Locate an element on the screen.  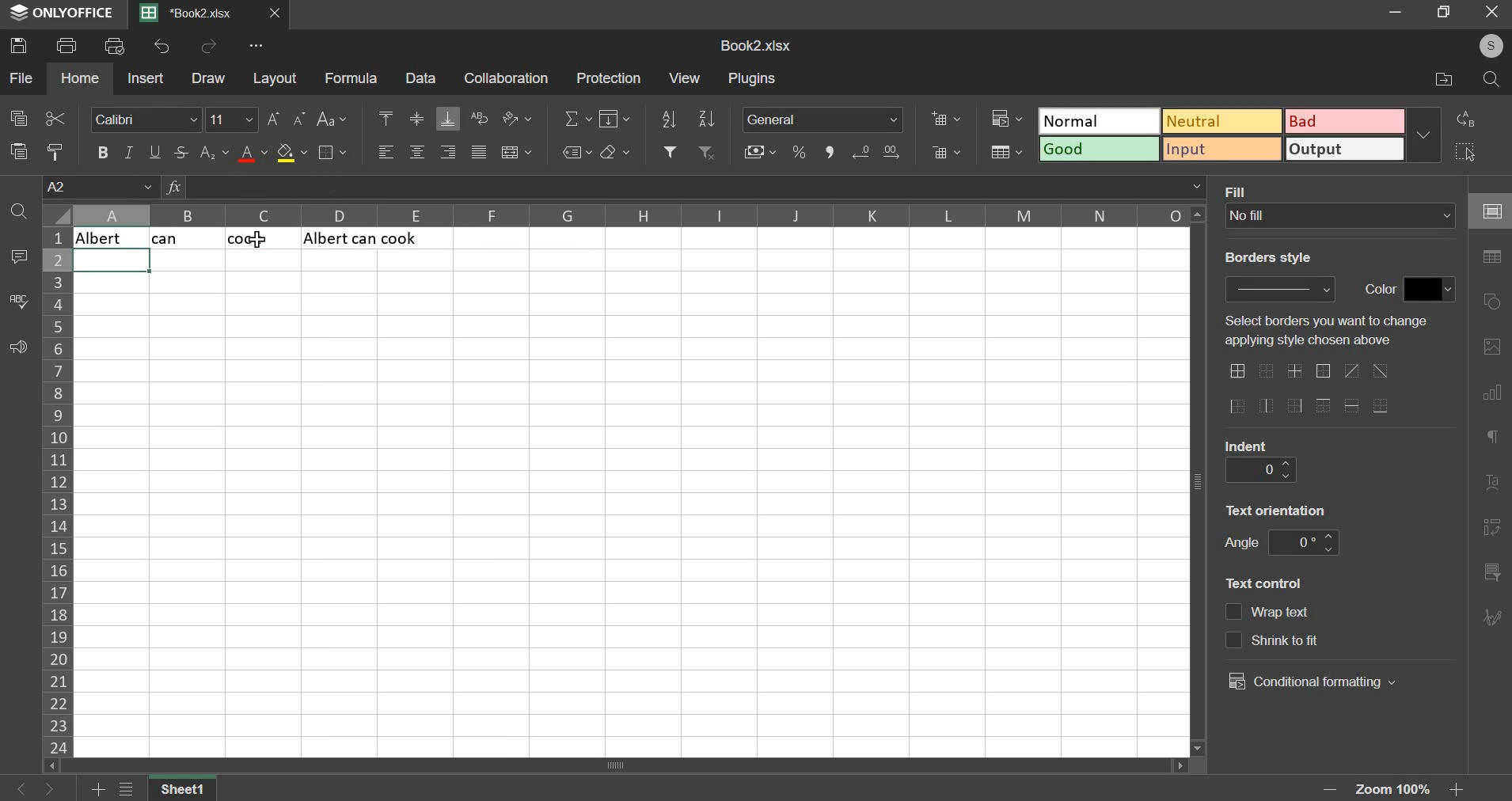
indent is located at coordinates (1261, 469).